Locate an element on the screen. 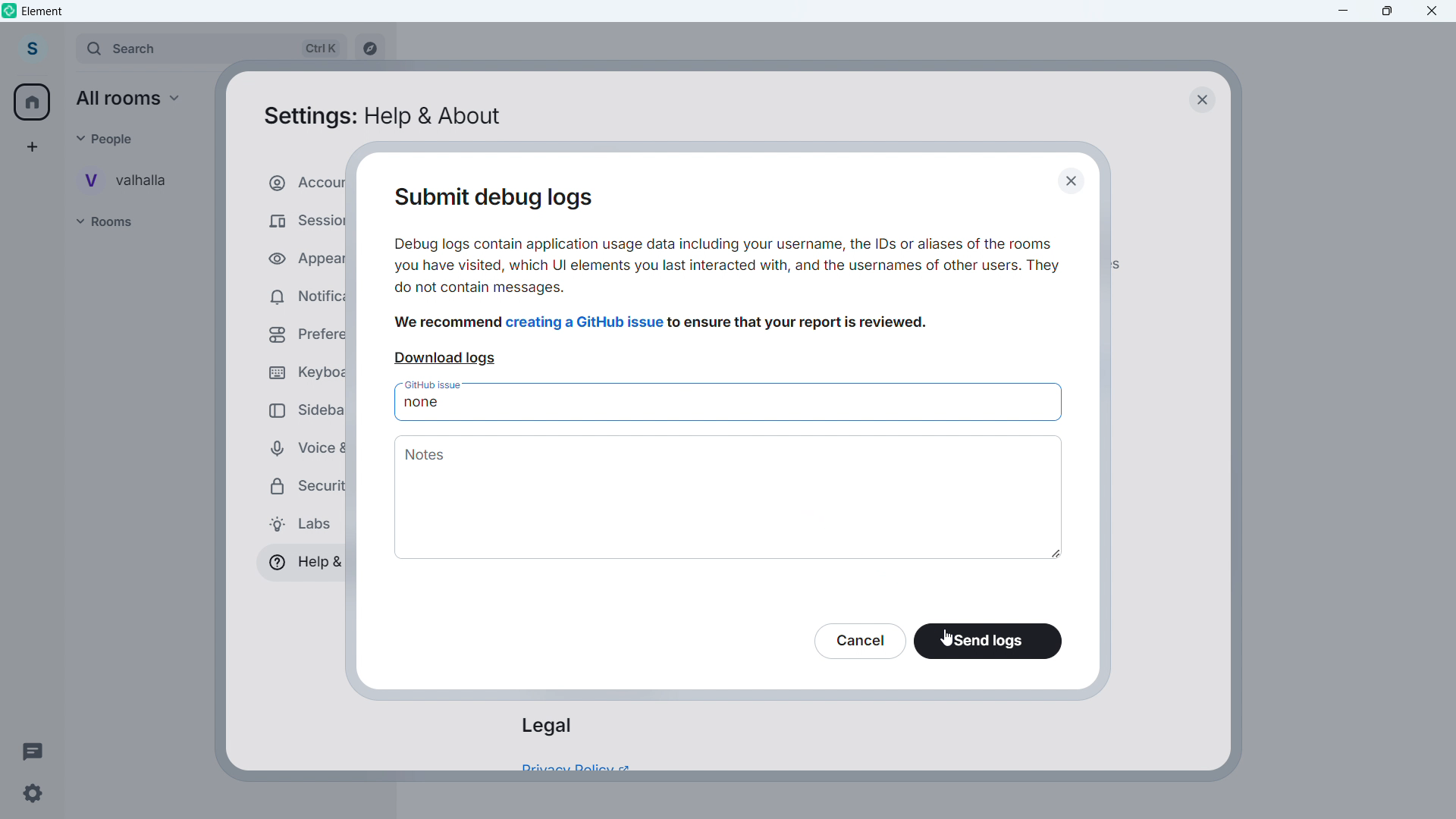 The width and height of the screenshot is (1456, 819). Element is located at coordinates (43, 11).